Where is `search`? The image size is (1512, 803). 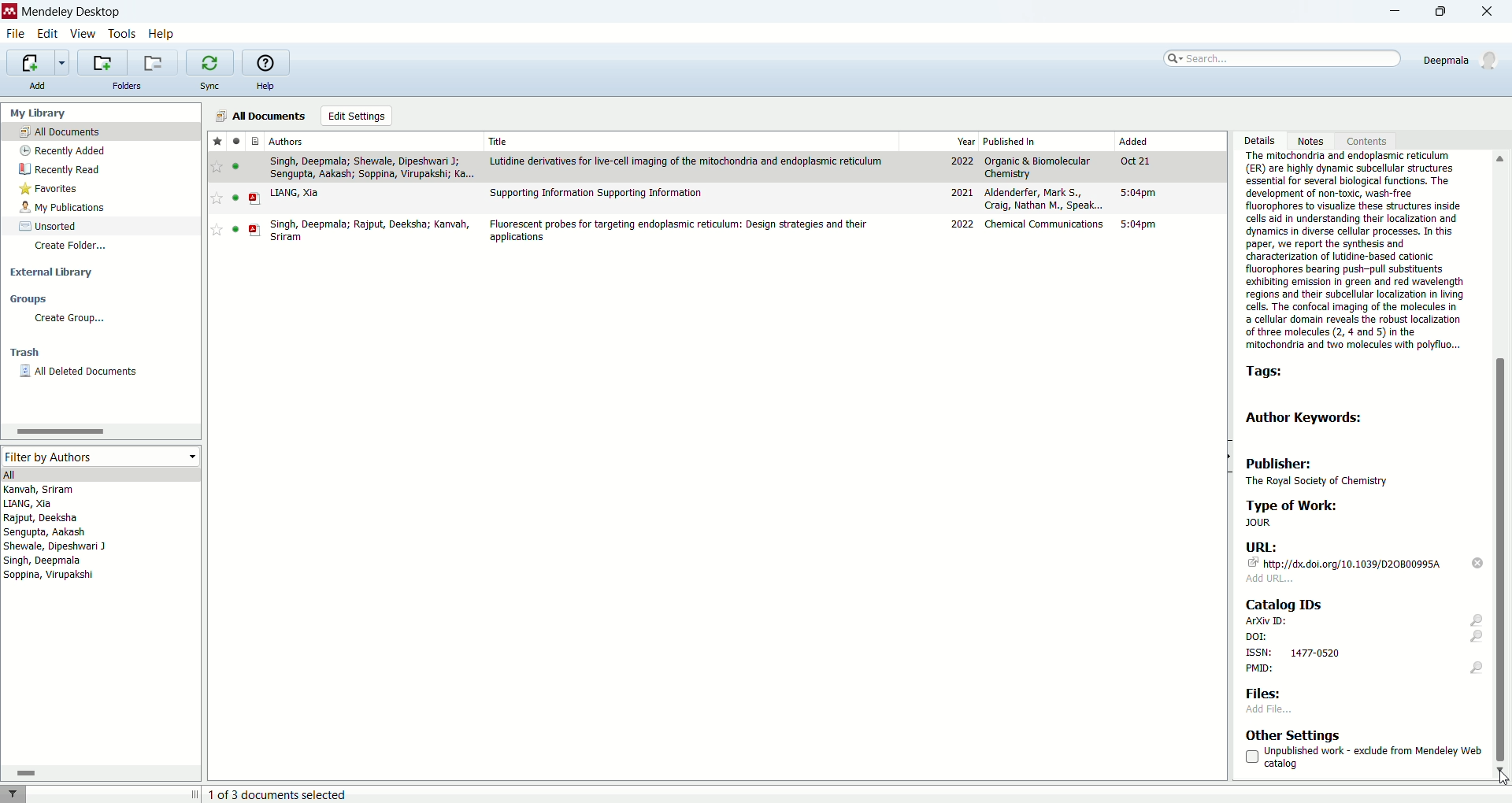 search is located at coordinates (1280, 58).